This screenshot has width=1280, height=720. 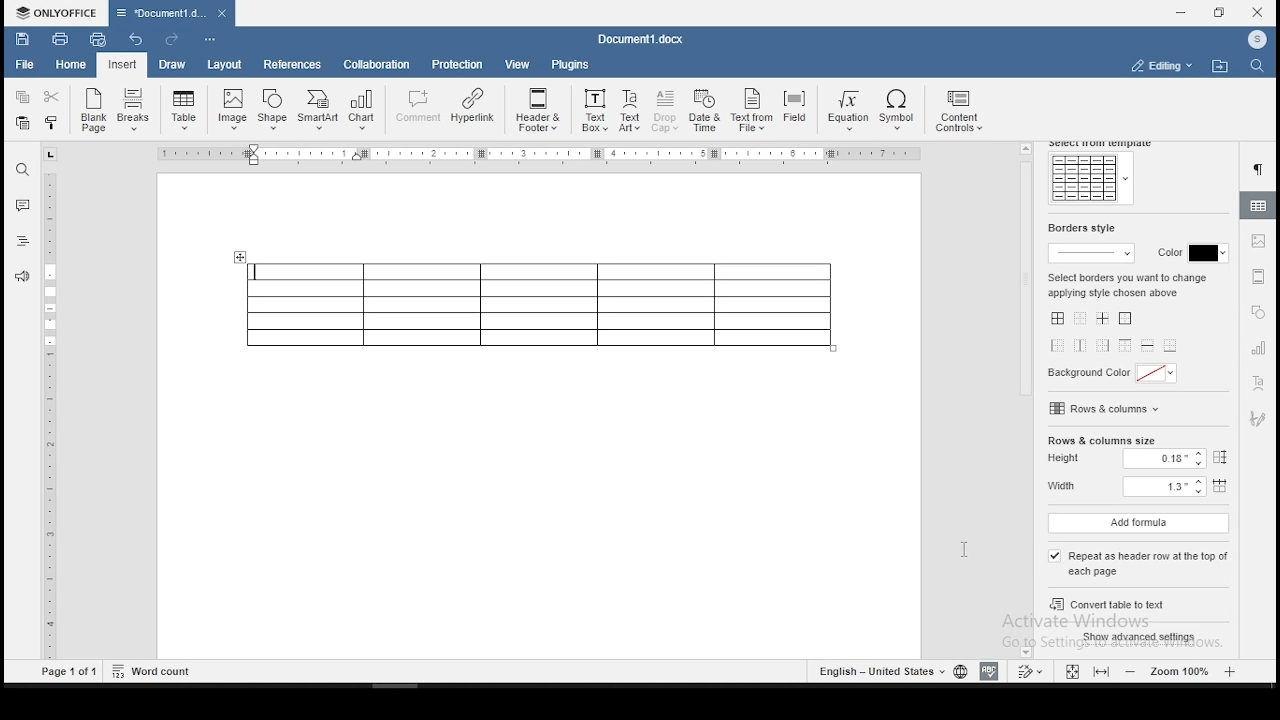 I want to click on zoom level, so click(x=1181, y=671).